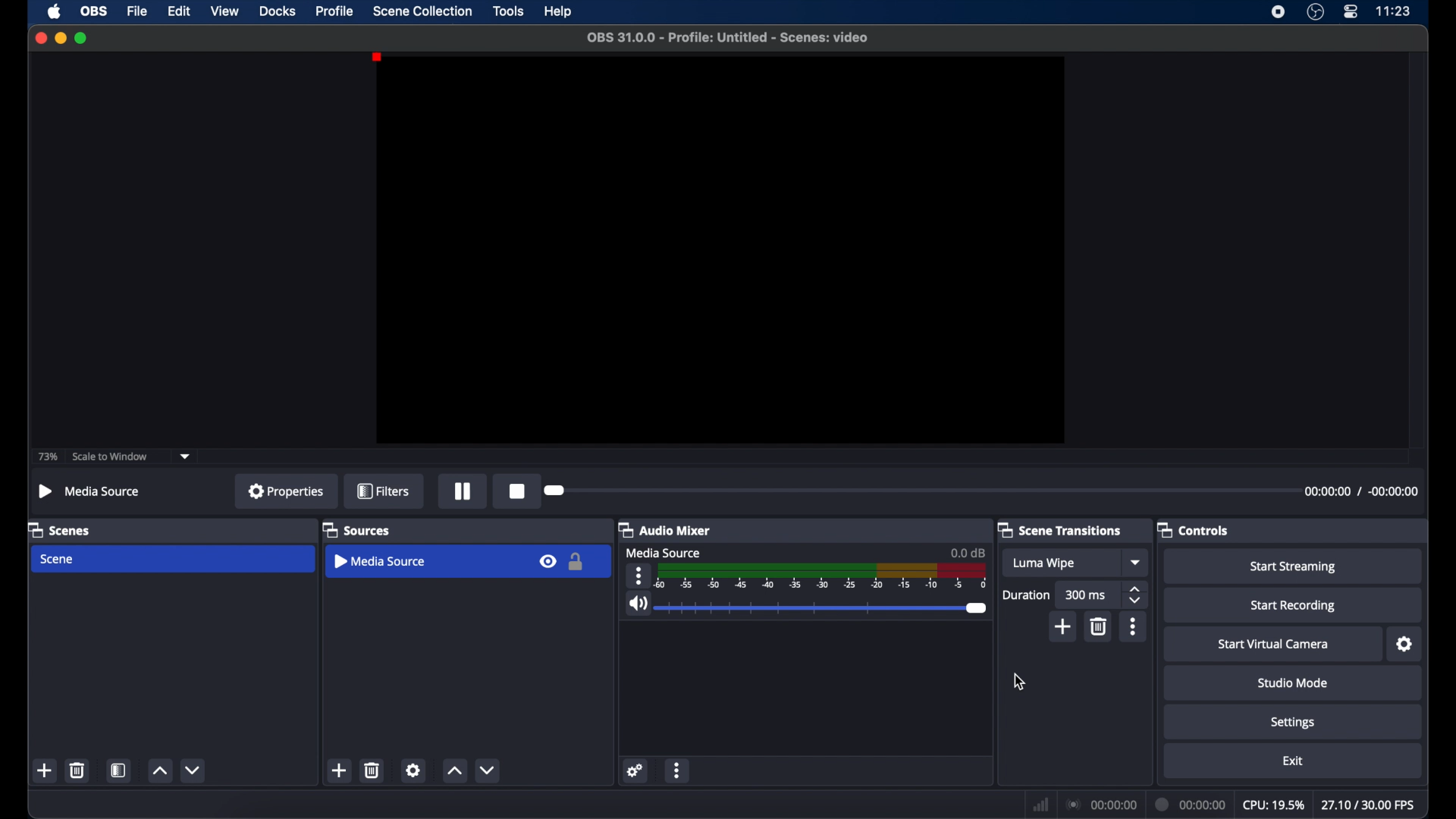  What do you see at coordinates (556, 491) in the screenshot?
I see `slider` at bounding box center [556, 491].